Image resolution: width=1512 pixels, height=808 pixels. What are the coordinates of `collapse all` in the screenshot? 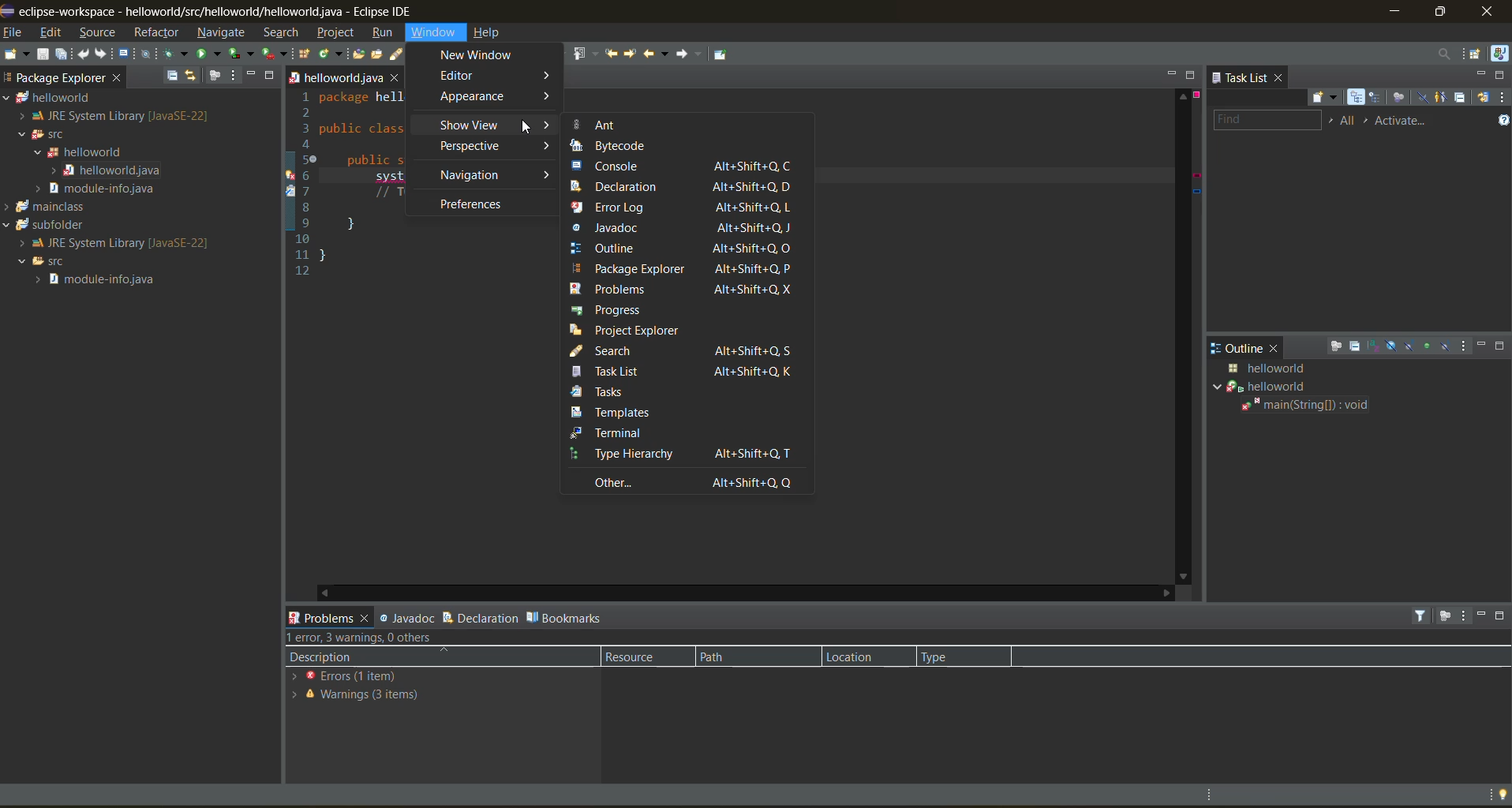 It's located at (1357, 344).